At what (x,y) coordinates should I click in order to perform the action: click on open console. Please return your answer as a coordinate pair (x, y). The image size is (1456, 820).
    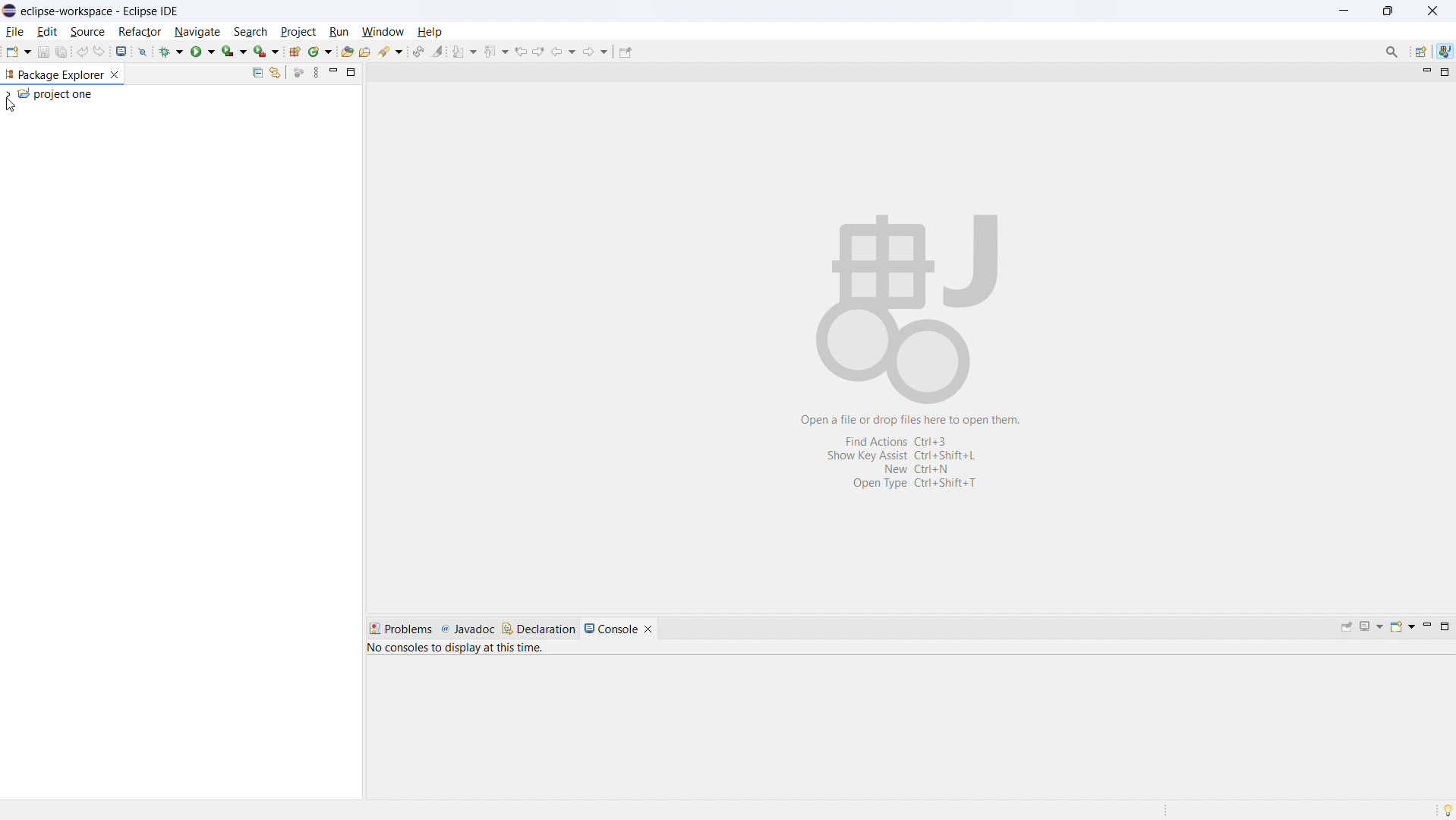
    Looking at the image, I should click on (1401, 627).